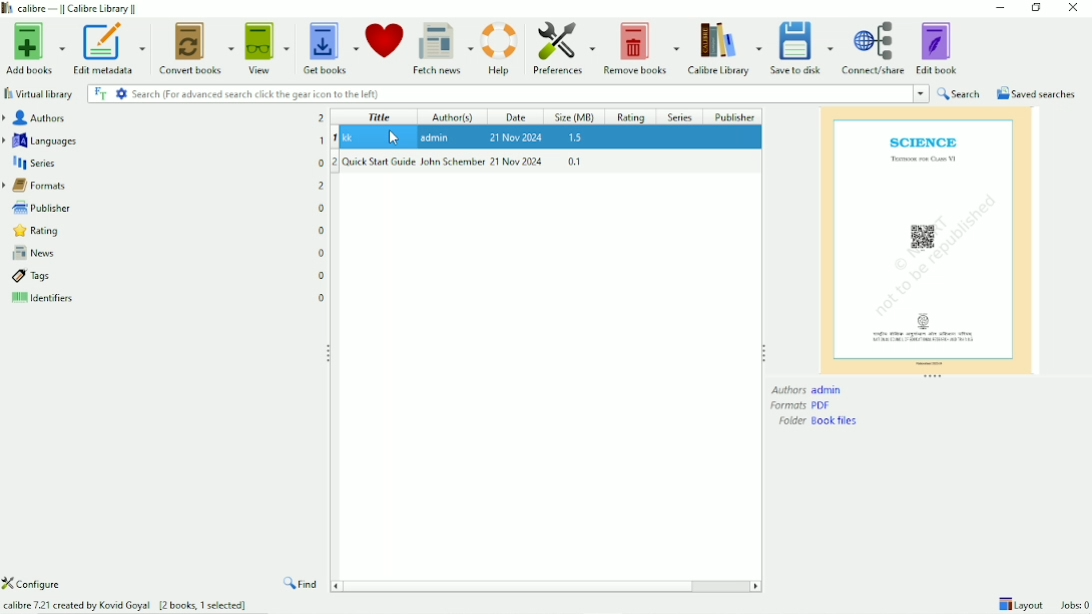 The height and width of the screenshot is (614, 1092). What do you see at coordinates (820, 421) in the screenshot?
I see `Folder` at bounding box center [820, 421].